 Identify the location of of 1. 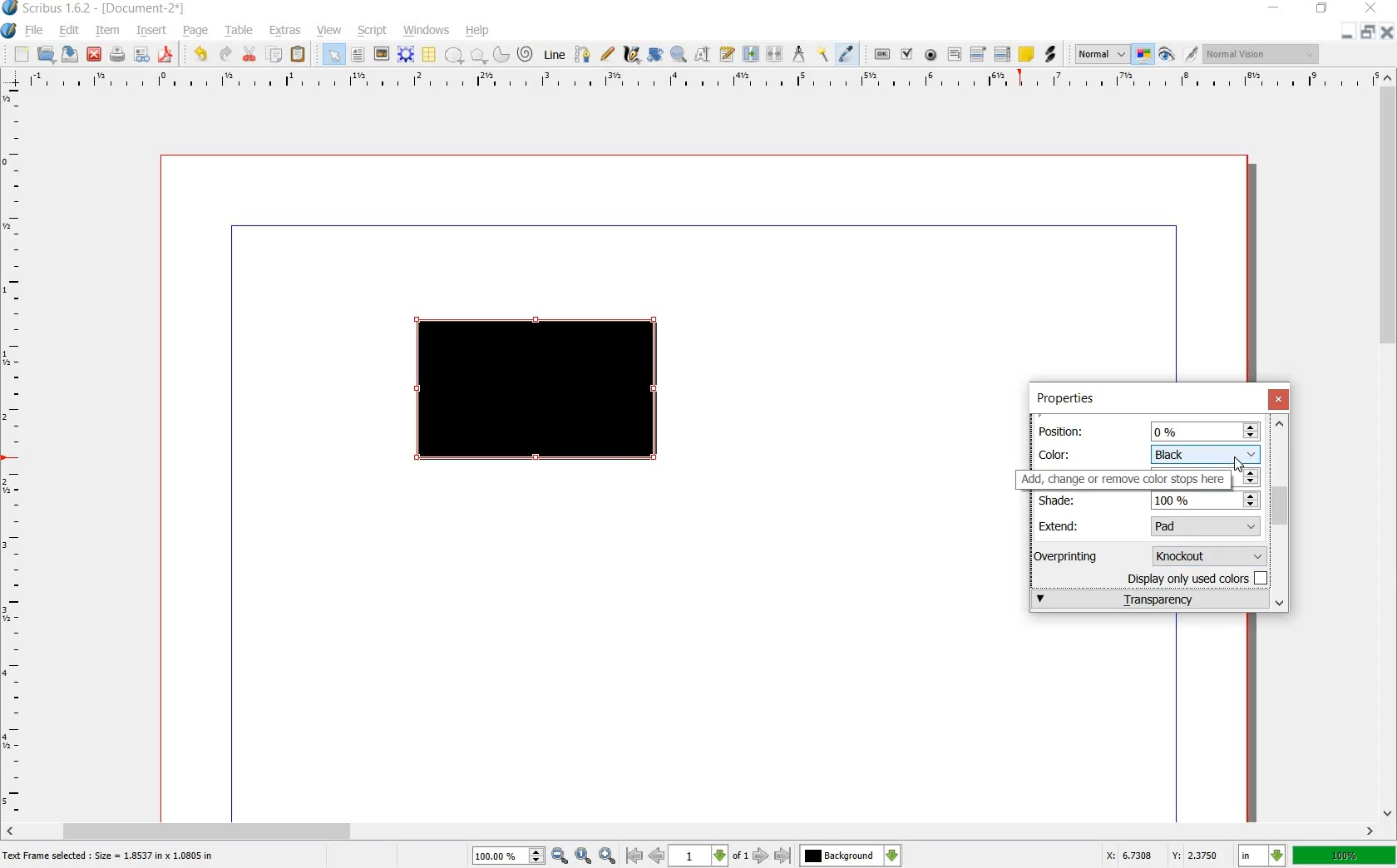
(739, 857).